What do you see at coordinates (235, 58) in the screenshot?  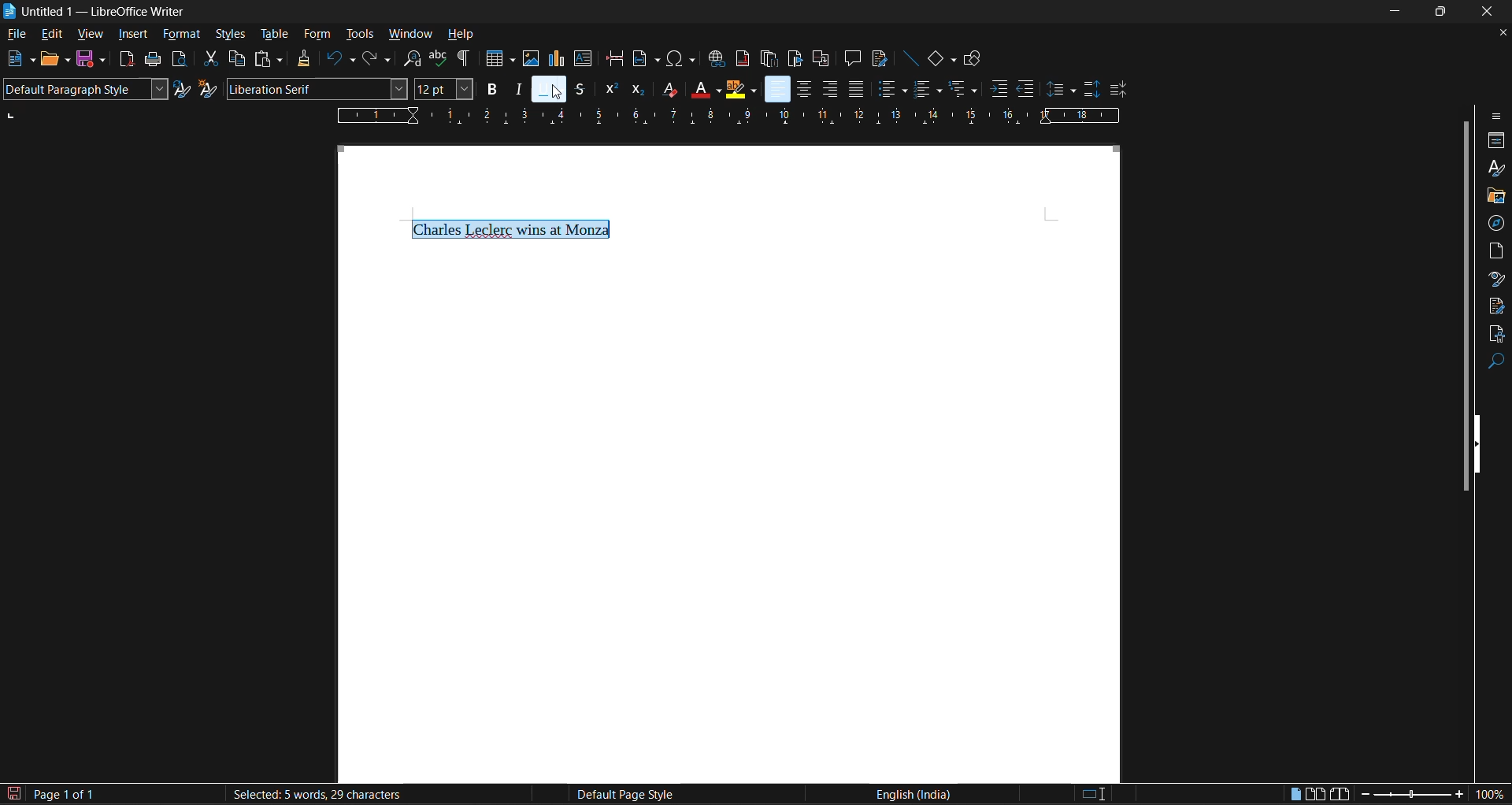 I see `copy` at bounding box center [235, 58].